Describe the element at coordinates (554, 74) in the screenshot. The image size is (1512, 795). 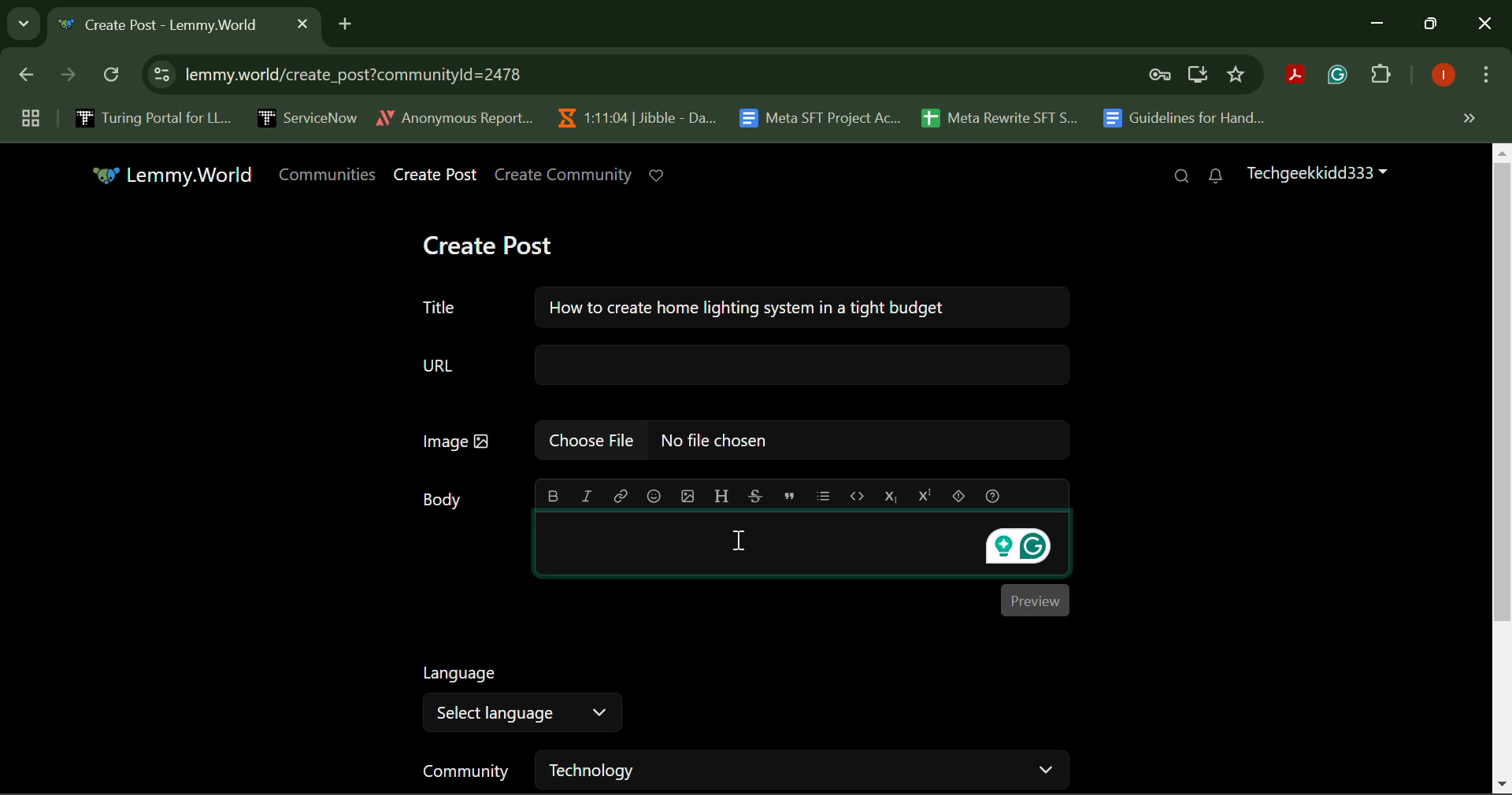
I see `Website Address` at that location.